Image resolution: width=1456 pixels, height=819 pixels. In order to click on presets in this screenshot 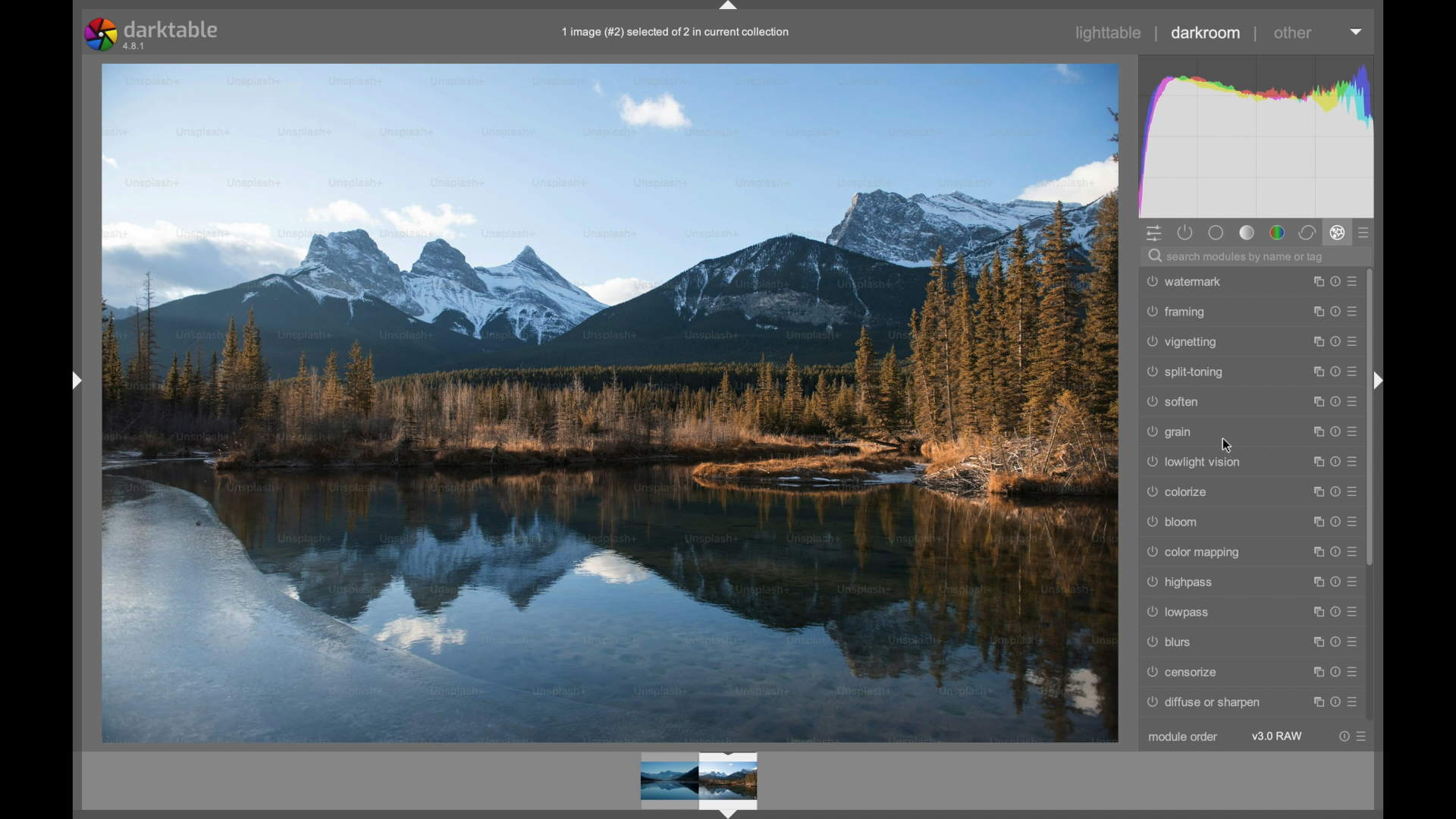, I will do `click(1355, 281)`.